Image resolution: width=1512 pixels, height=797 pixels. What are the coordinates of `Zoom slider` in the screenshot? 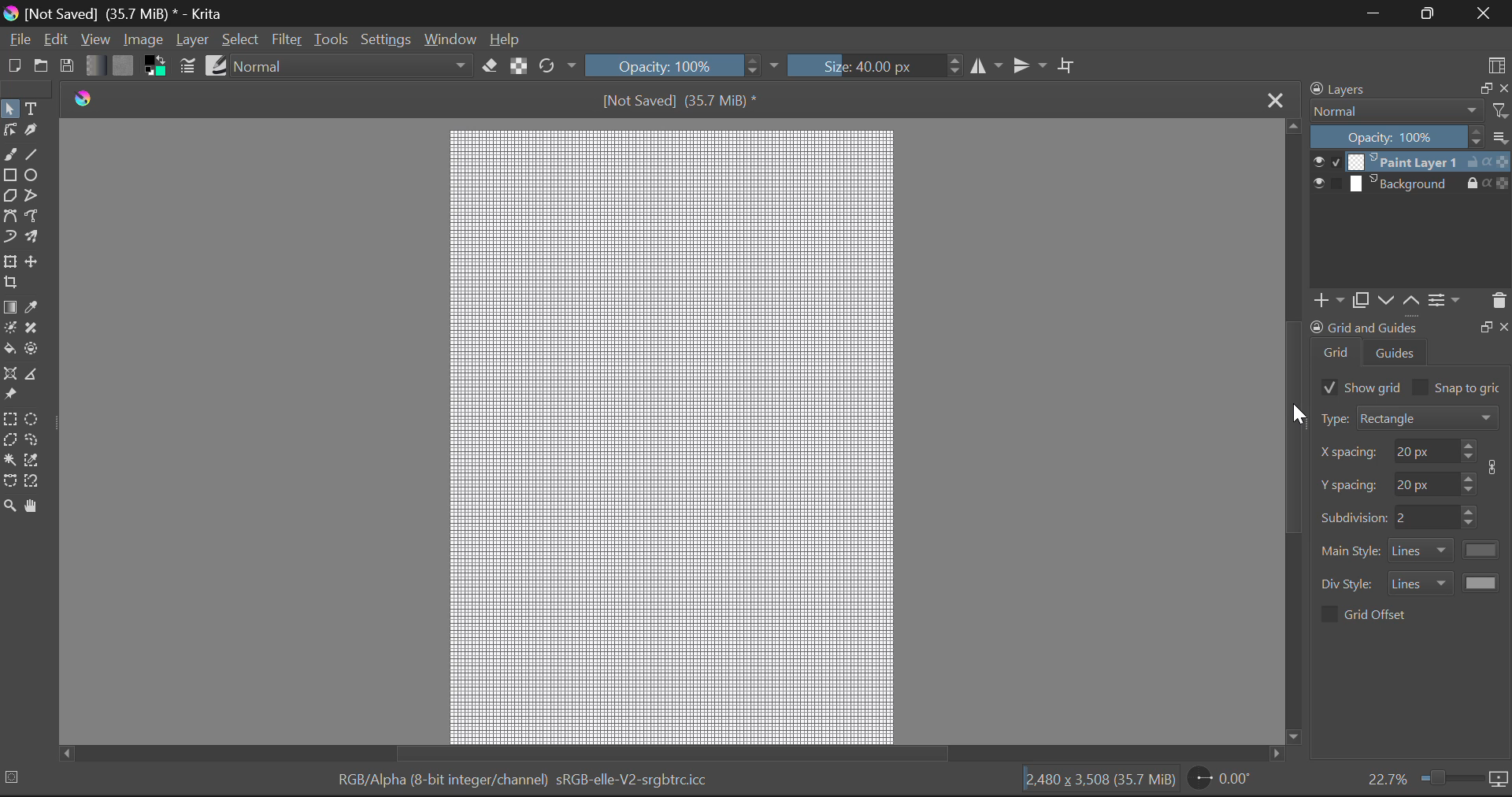 It's located at (1449, 777).